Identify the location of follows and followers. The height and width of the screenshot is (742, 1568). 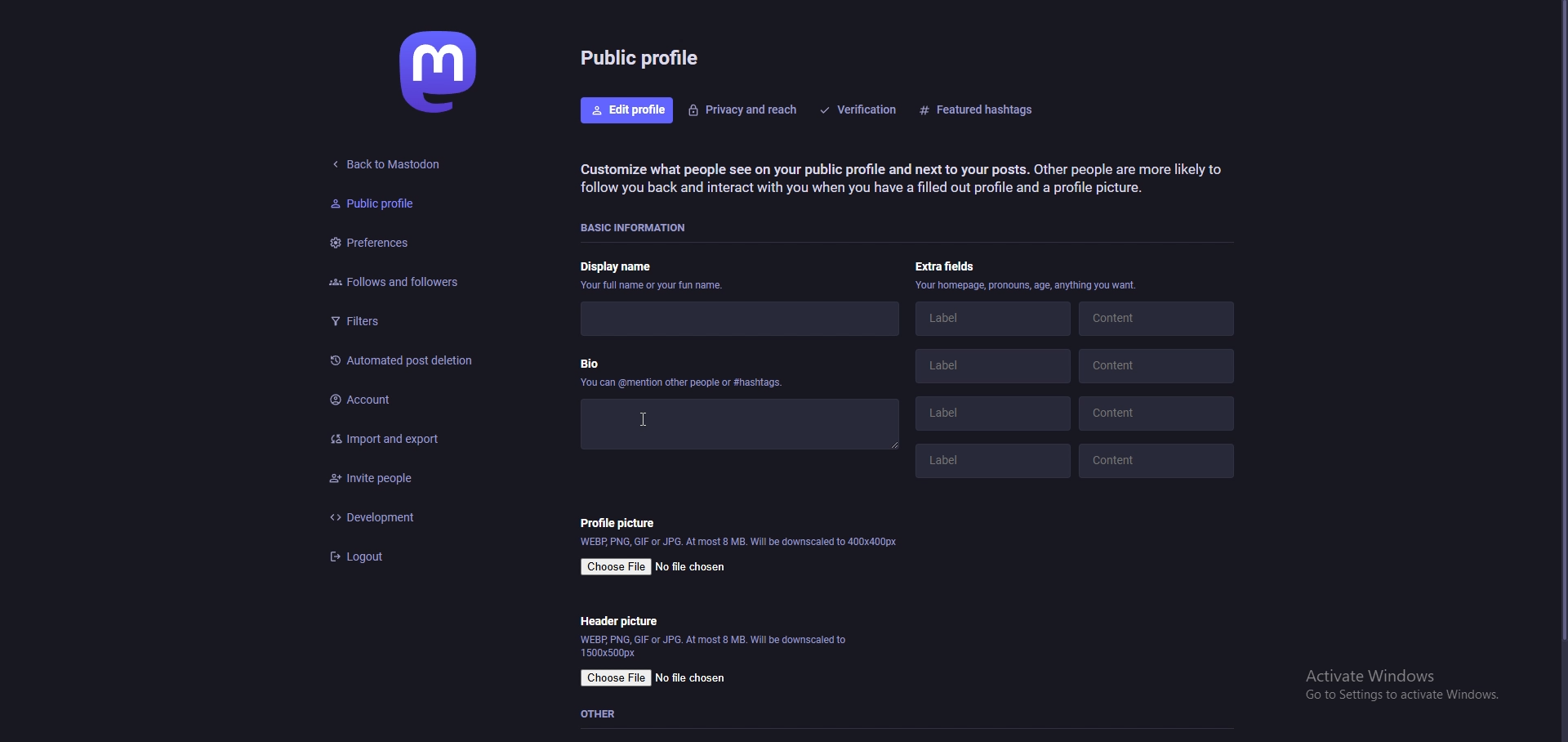
(412, 279).